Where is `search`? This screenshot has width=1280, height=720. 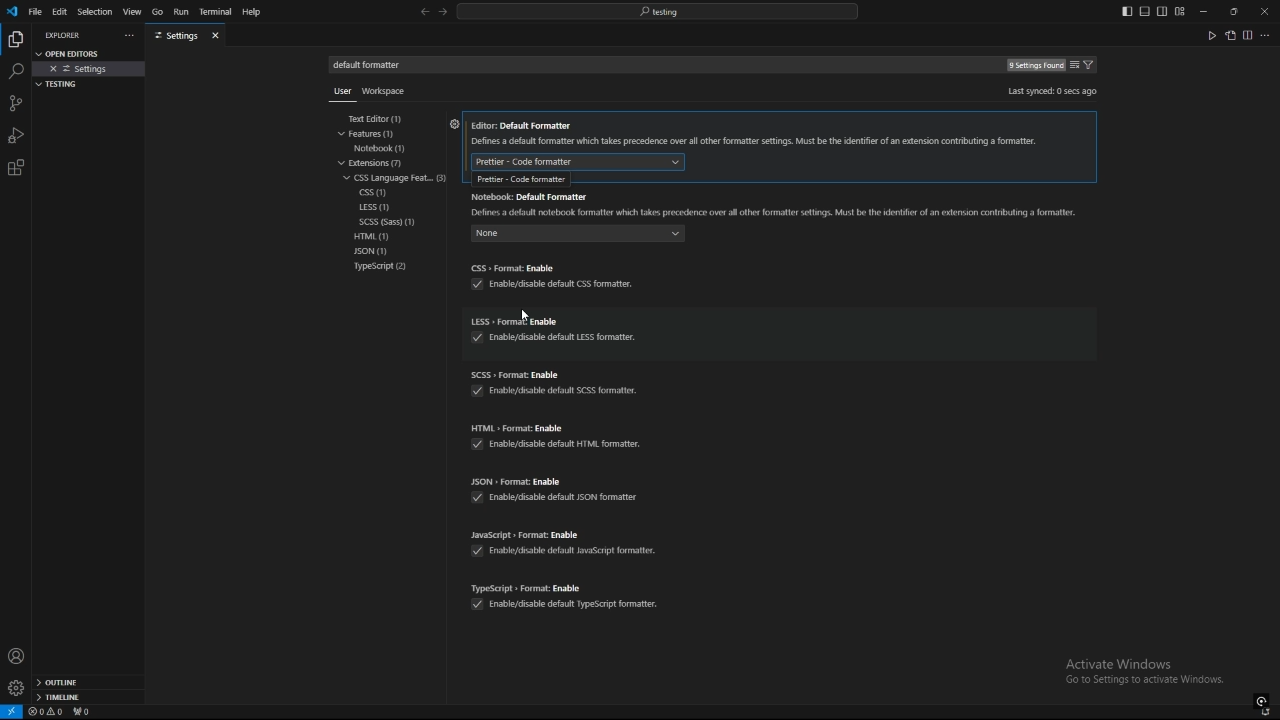
search is located at coordinates (15, 72).